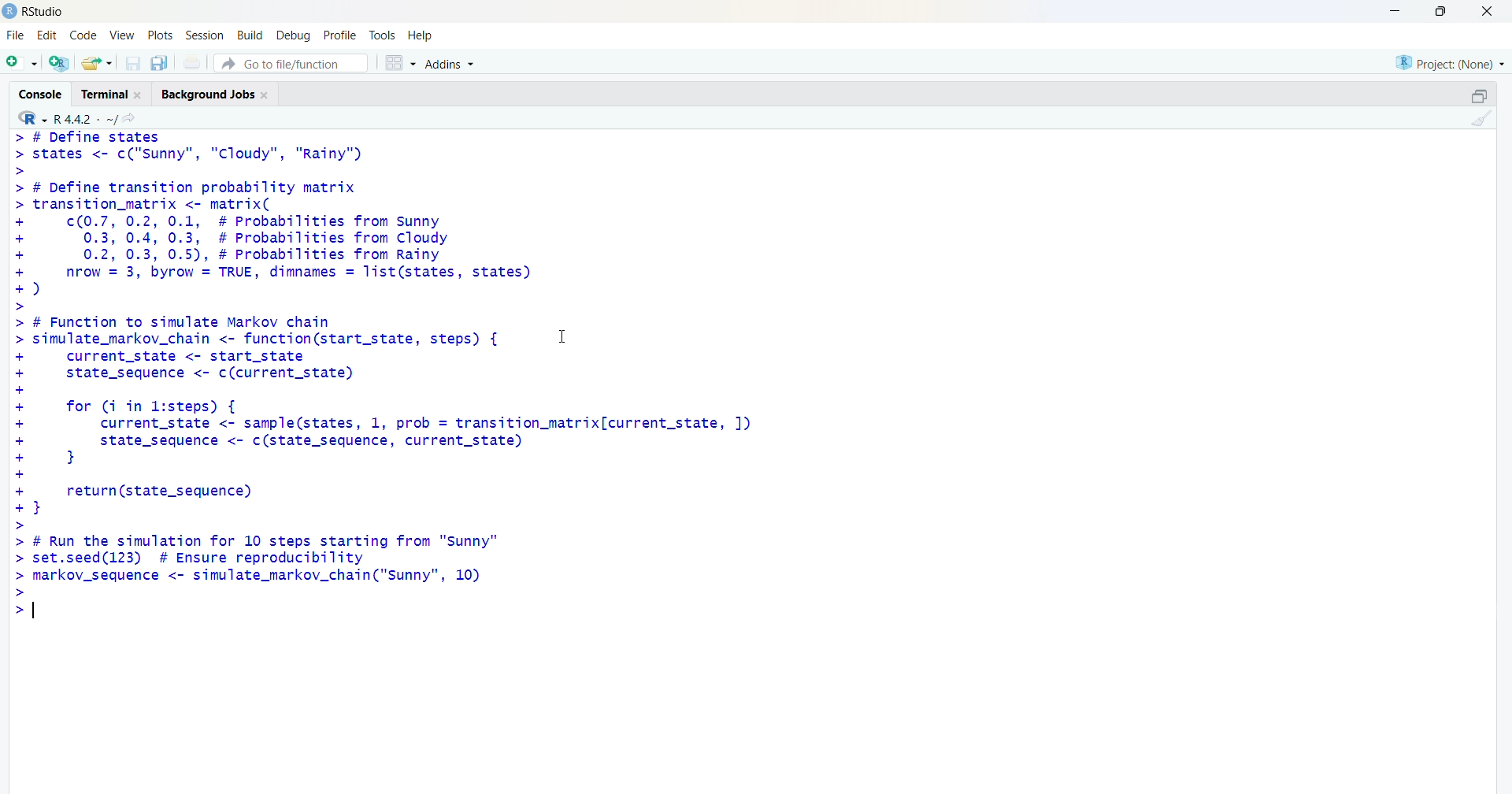  I want to click on terminal, so click(113, 94).